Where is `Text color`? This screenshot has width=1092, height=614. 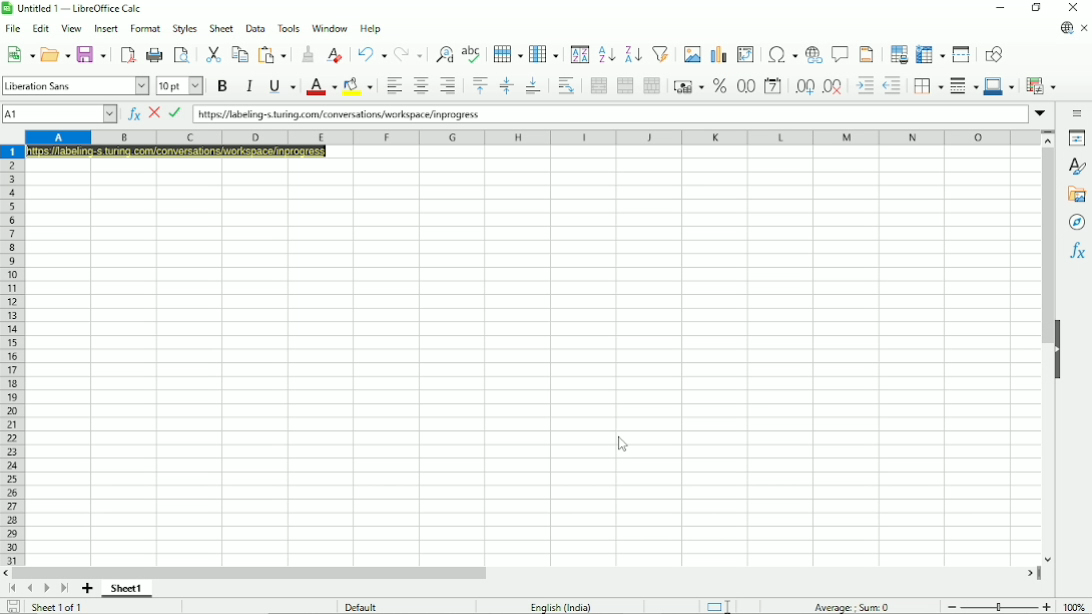 Text color is located at coordinates (322, 86).